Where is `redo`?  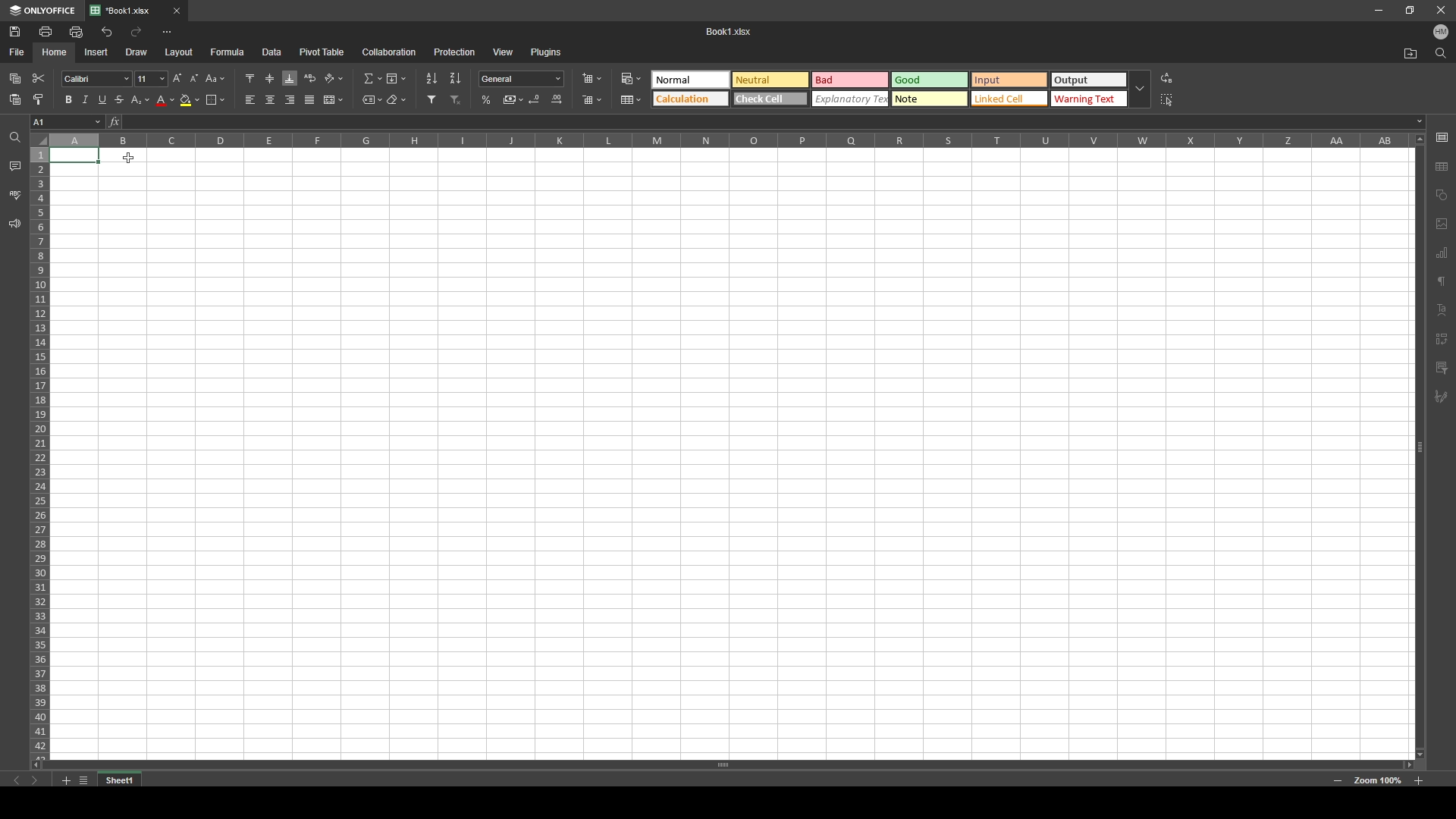
redo is located at coordinates (136, 32).